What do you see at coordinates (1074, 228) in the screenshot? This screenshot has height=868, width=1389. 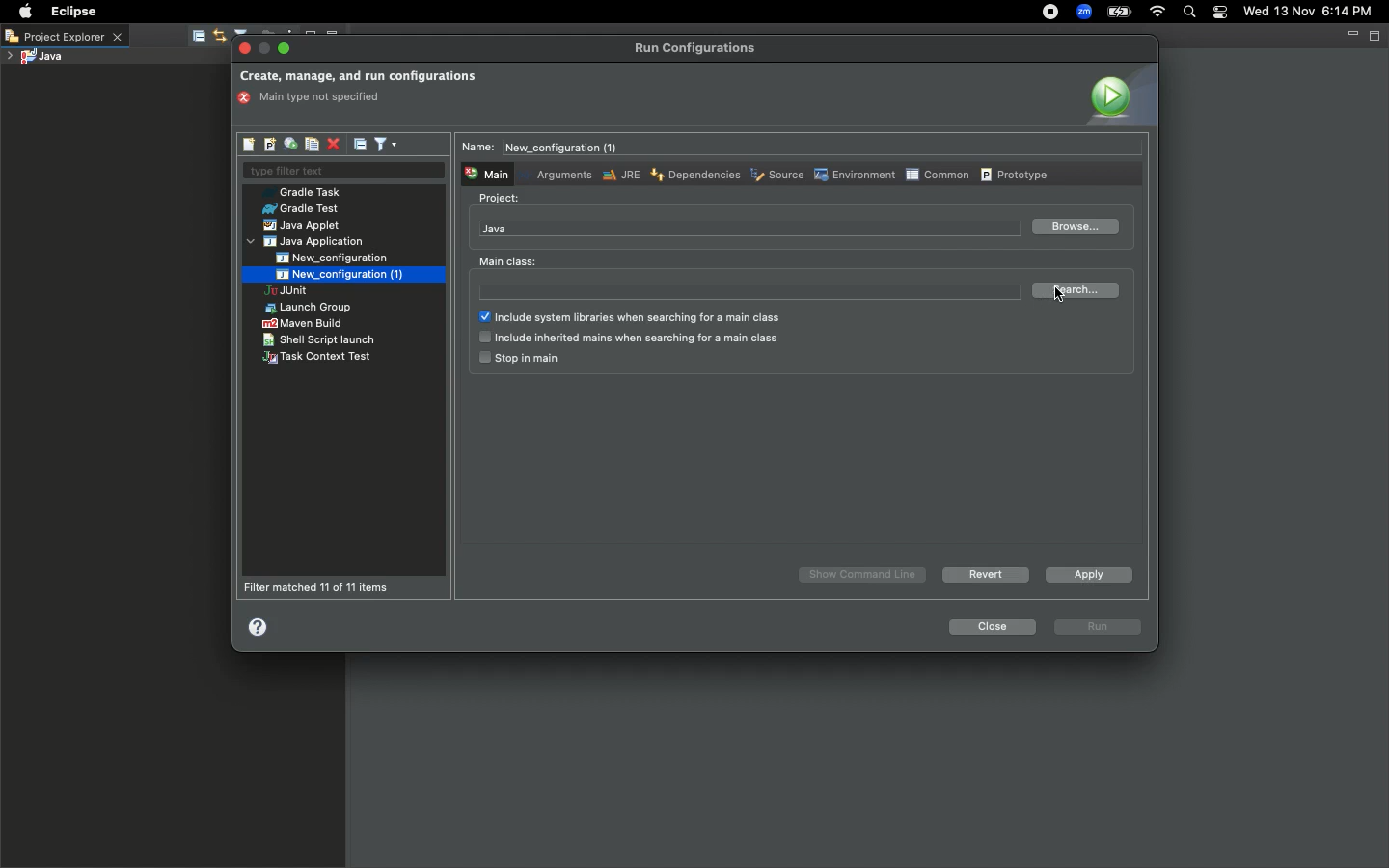 I see `Browse` at bounding box center [1074, 228].